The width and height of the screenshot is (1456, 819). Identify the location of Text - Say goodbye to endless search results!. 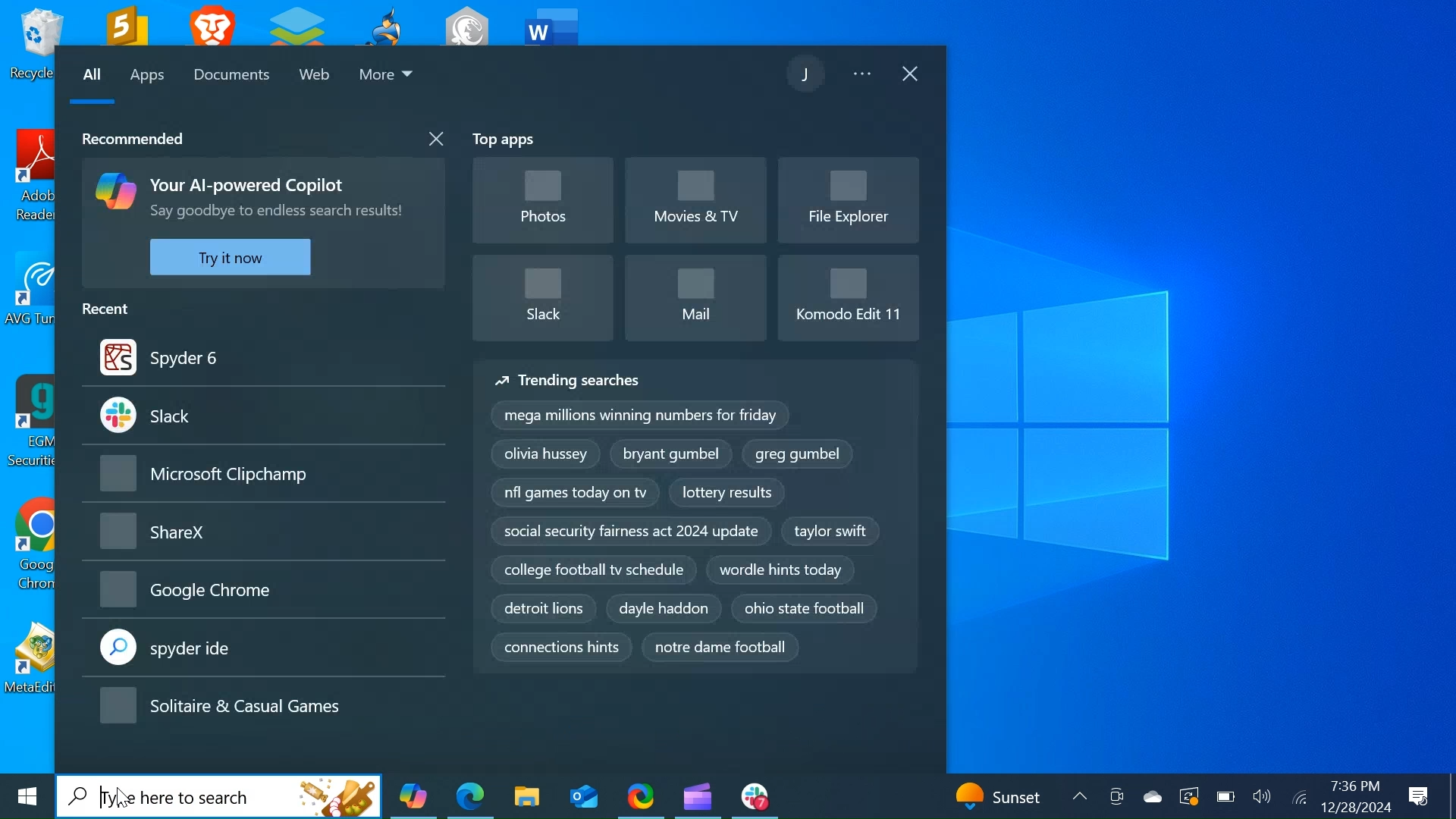
(275, 213).